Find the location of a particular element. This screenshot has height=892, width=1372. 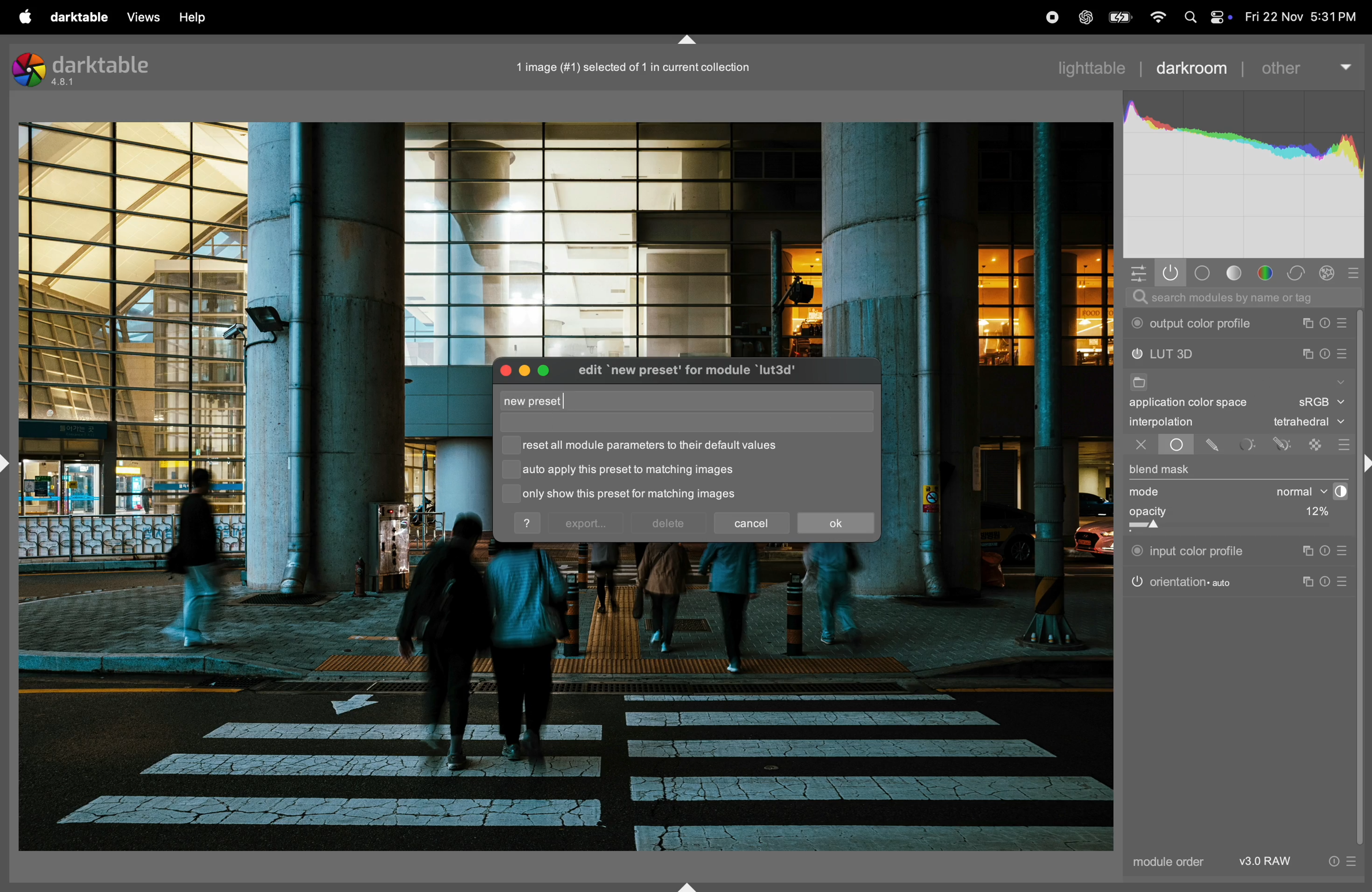

tetrahedral is located at coordinates (1309, 423).